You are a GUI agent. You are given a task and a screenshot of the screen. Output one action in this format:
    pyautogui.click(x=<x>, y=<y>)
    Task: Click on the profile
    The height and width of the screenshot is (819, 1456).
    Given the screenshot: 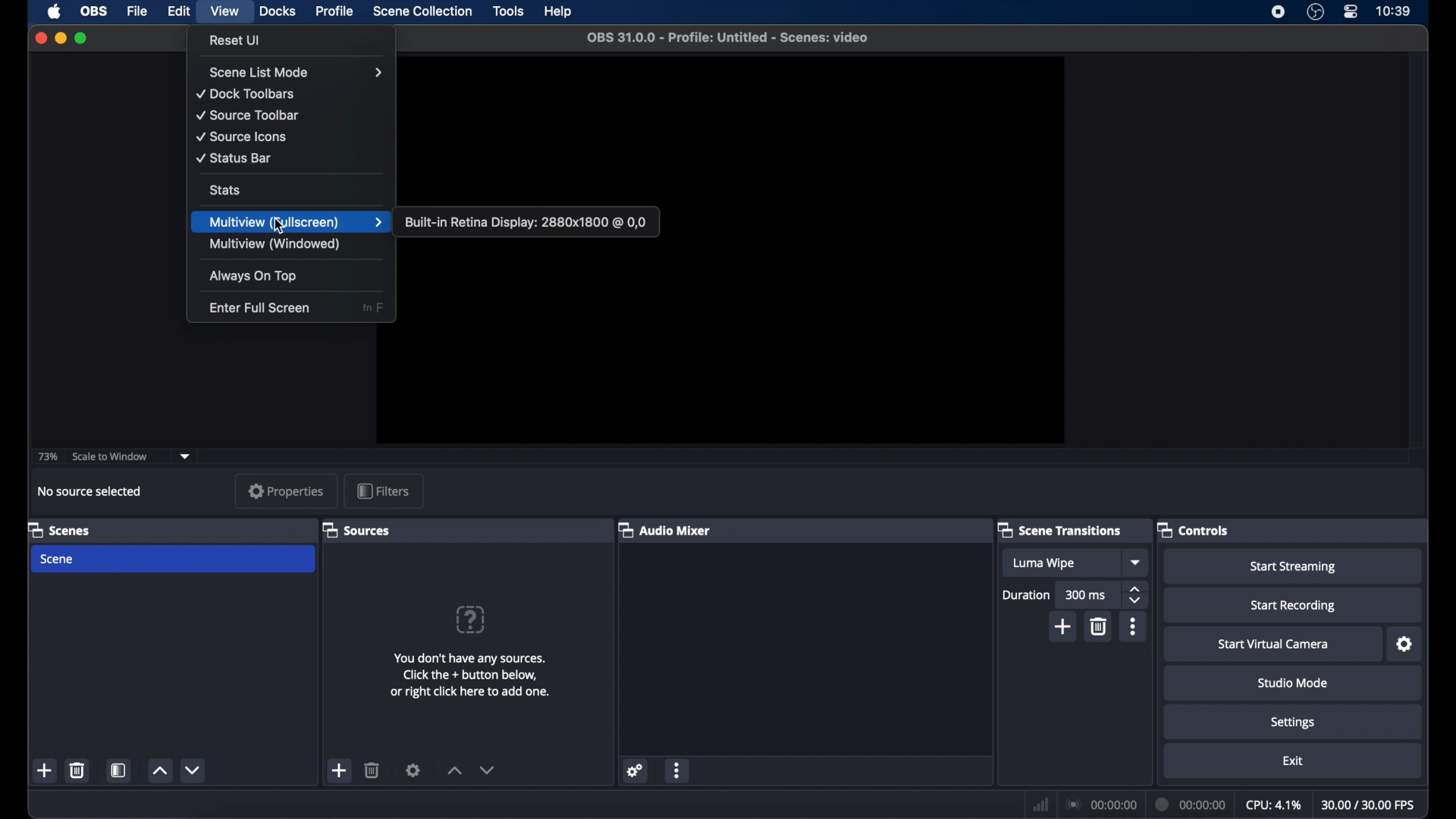 What is the action you would take?
    pyautogui.click(x=335, y=10)
    